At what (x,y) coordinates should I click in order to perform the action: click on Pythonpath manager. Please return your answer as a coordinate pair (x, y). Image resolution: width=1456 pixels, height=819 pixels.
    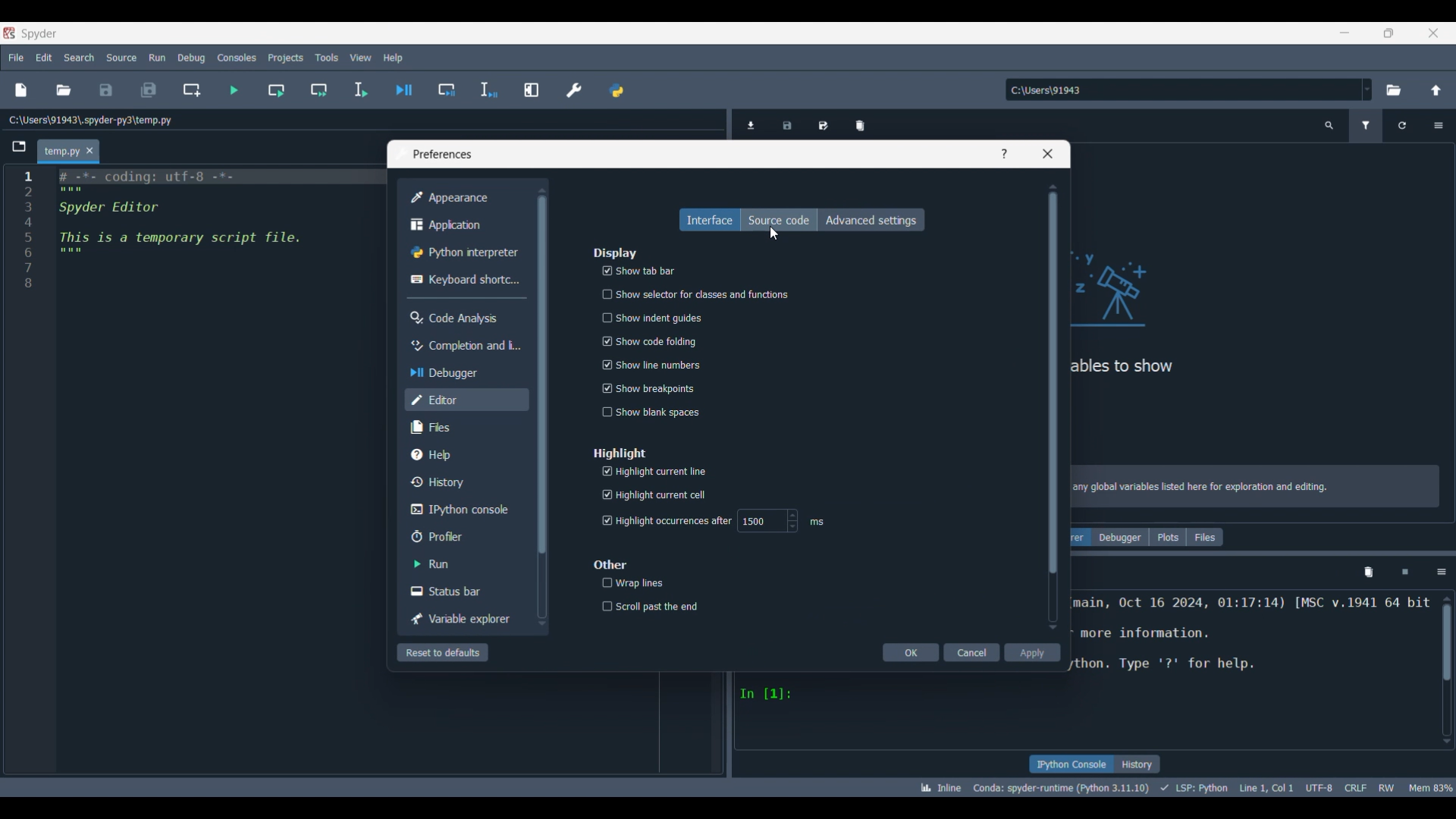
    Looking at the image, I should click on (616, 89).